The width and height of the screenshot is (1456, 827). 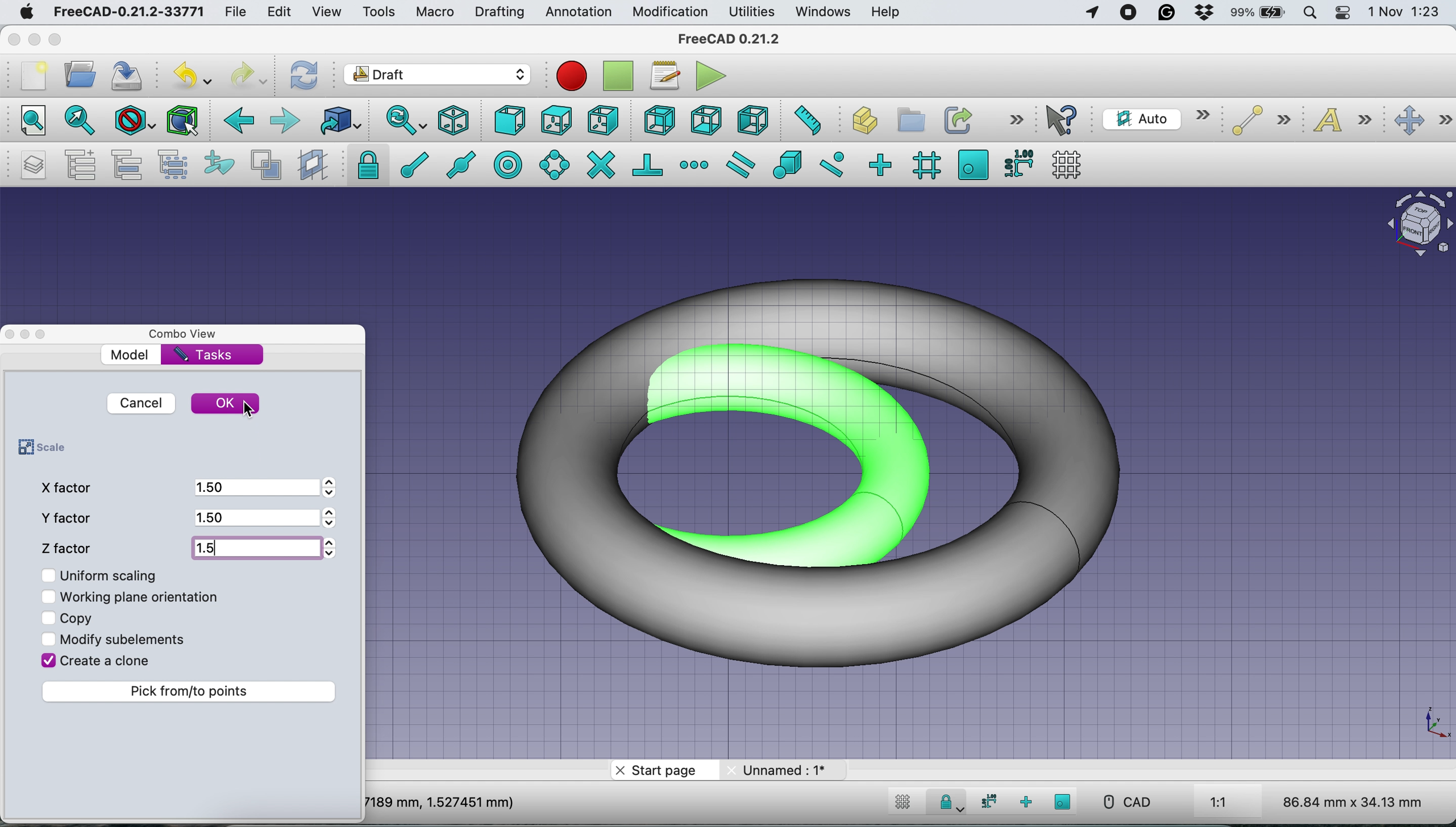 I want to click on front, so click(x=509, y=122).